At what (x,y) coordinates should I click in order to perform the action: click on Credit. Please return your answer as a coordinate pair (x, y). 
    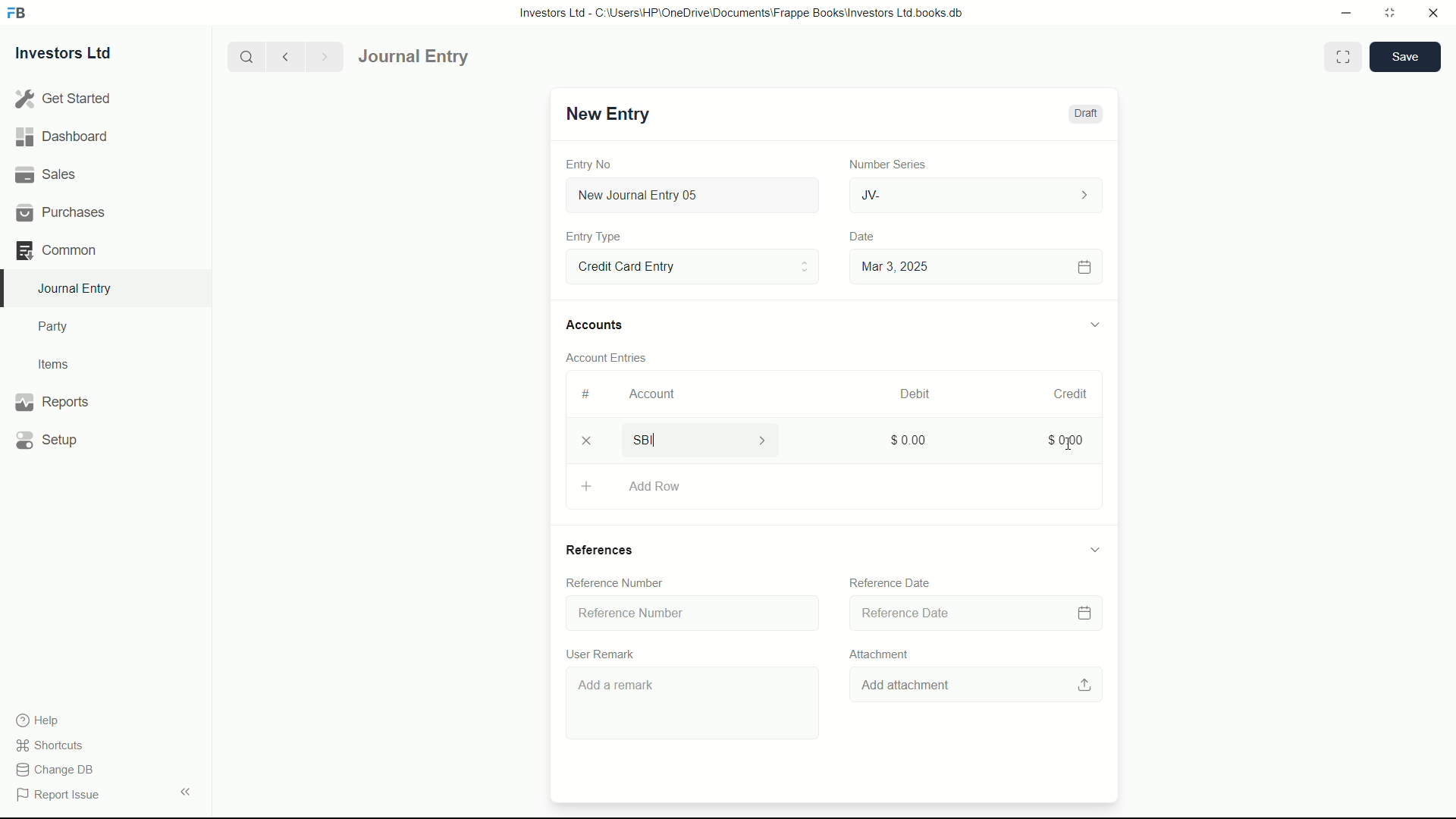
    Looking at the image, I should click on (1064, 394).